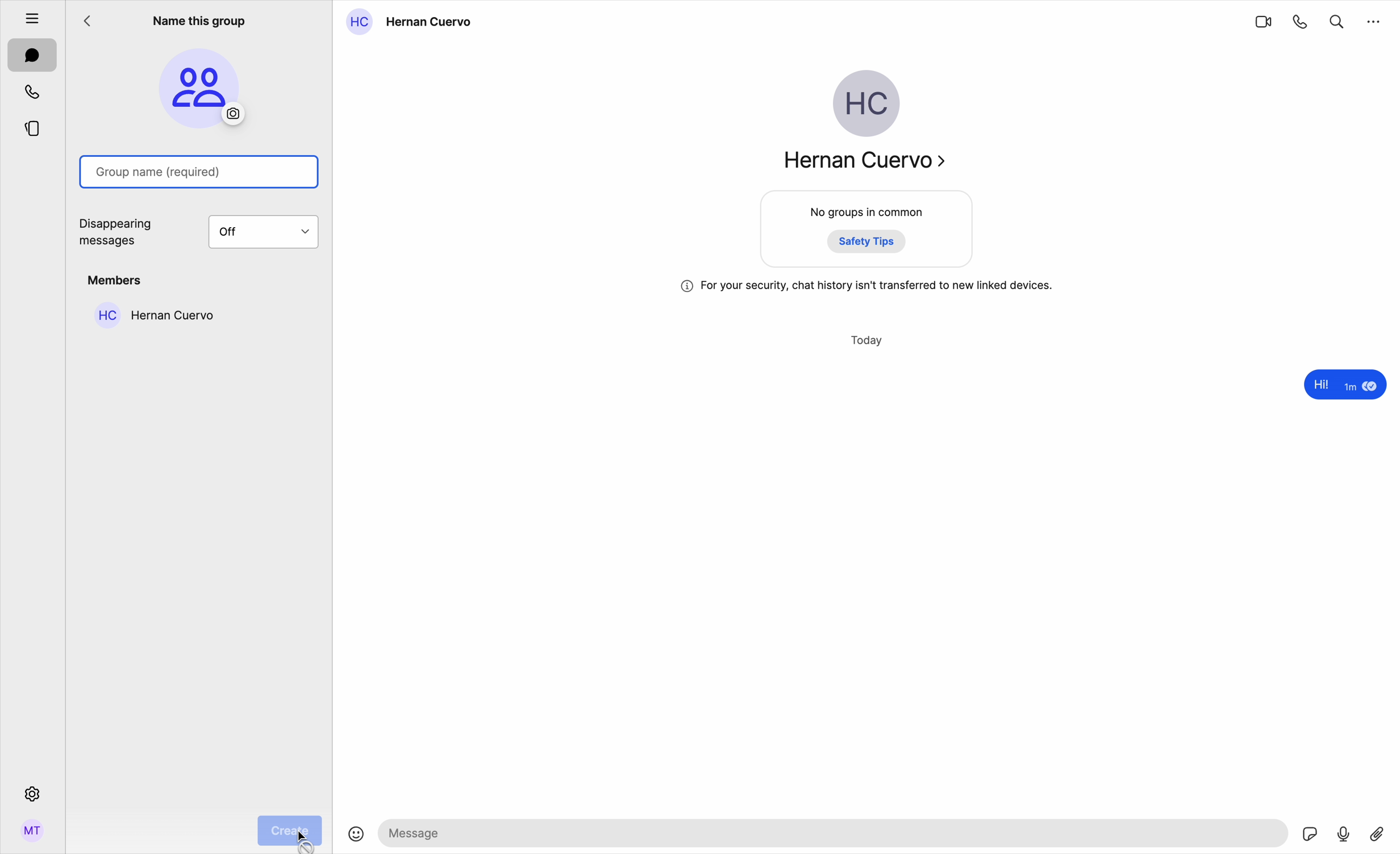 The width and height of the screenshot is (1400, 854). What do you see at coordinates (92, 24) in the screenshot?
I see `arrow ` at bounding box center [92, 24].